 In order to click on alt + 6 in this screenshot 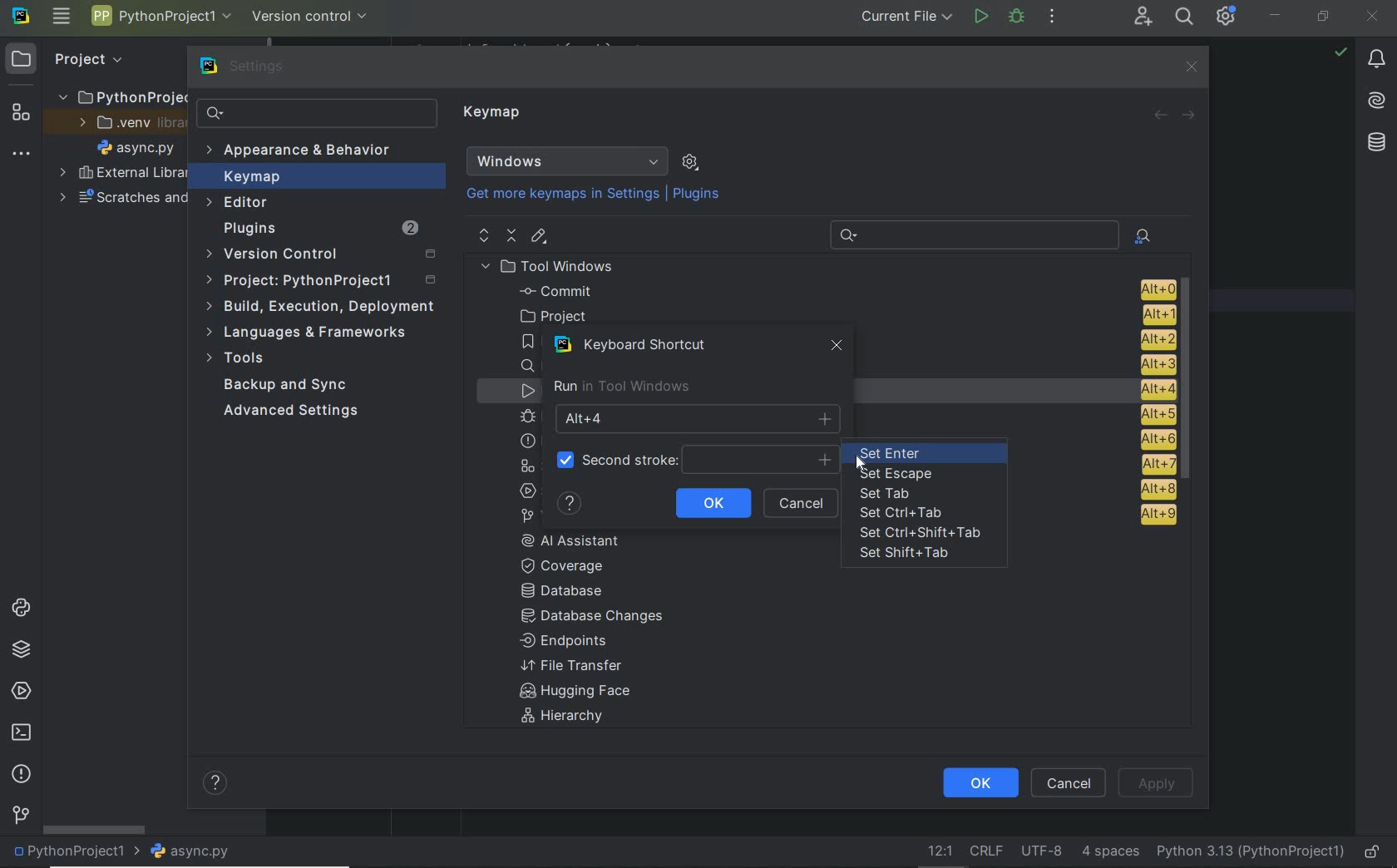, I will do `click(1156, 440)`.